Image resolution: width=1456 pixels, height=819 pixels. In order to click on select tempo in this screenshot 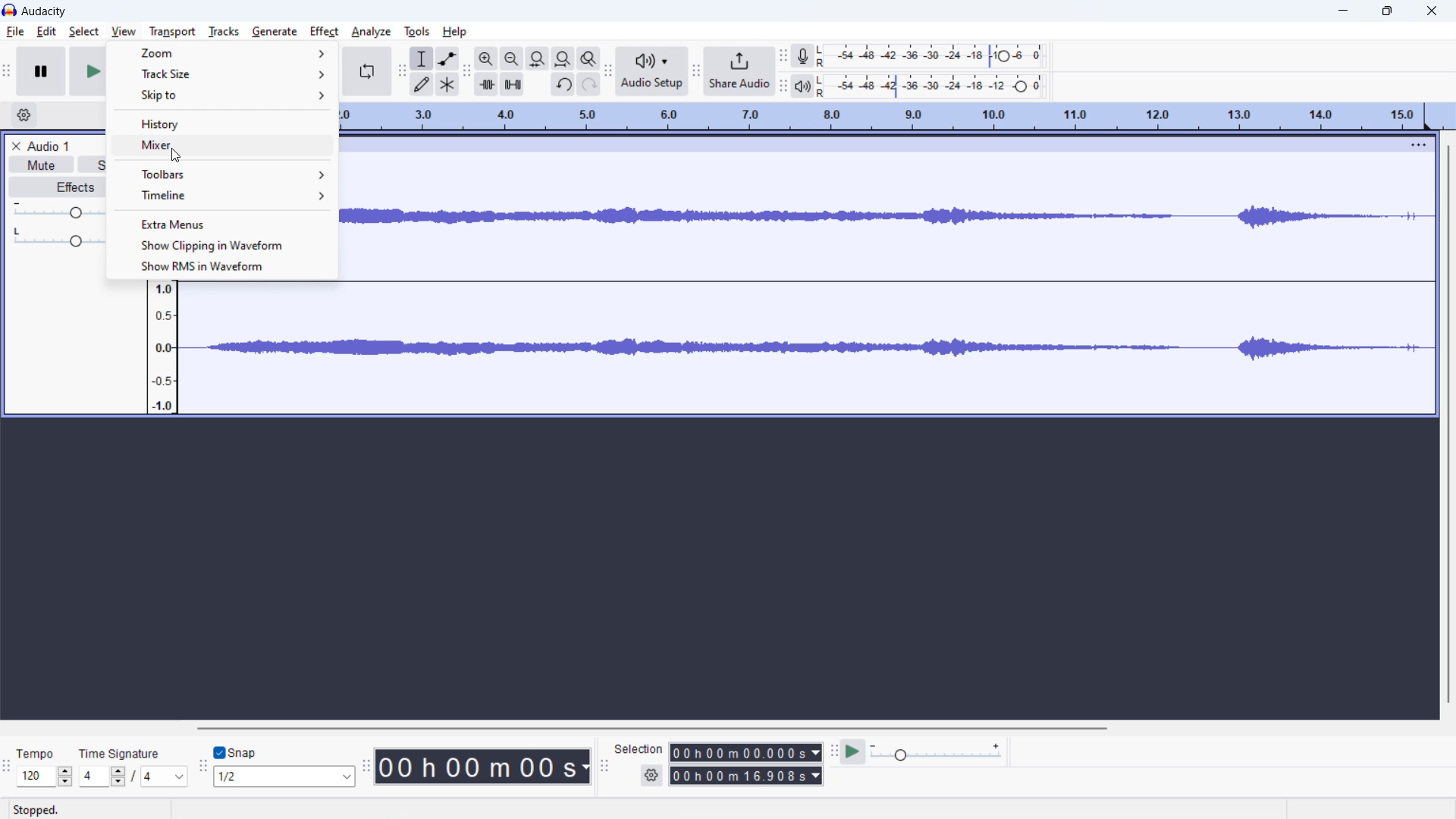, I will do `click(45, 777)`.